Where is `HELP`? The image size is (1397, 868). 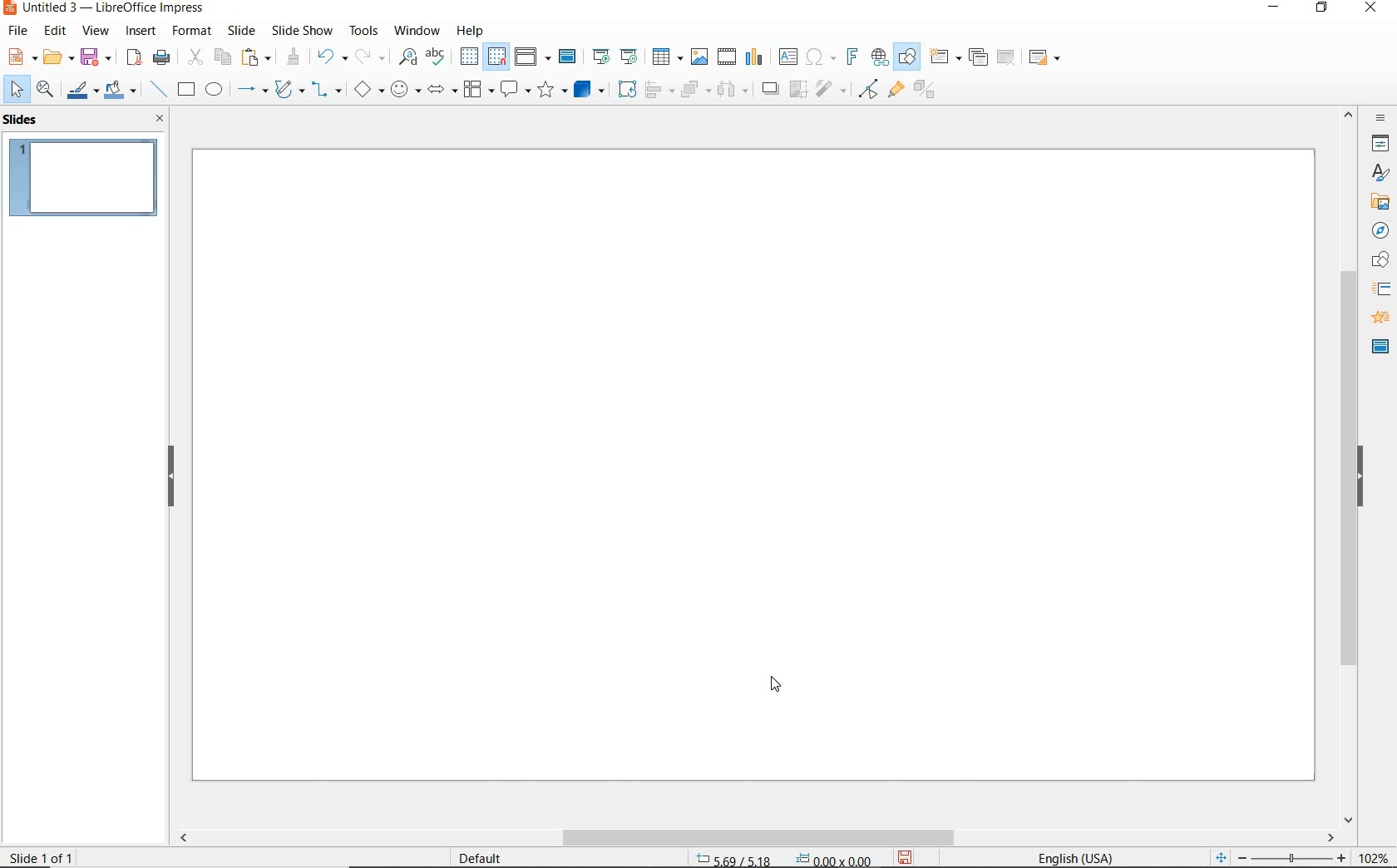 HELP is located at coordinates (478, 30).